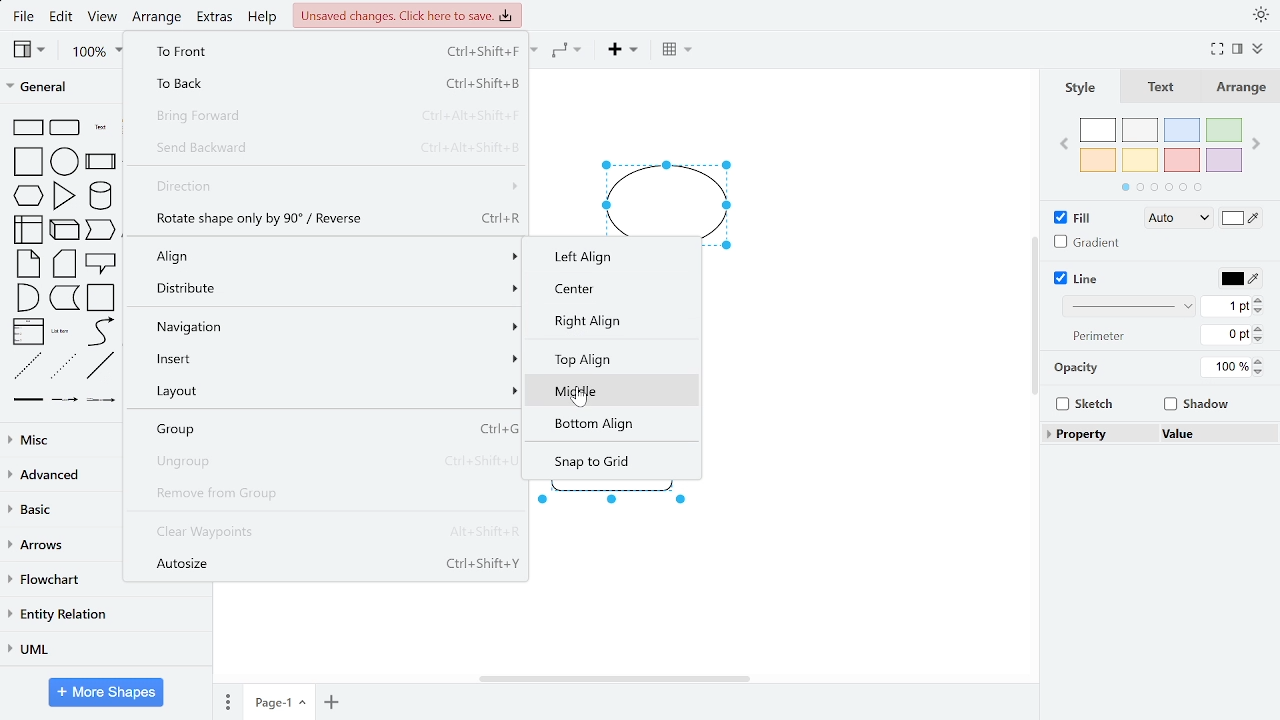 The width and height of the screenshot is (1280, 720). Describe the element at coordinates (1087, 404) in the screenshot. I see `Sketch` at that location.